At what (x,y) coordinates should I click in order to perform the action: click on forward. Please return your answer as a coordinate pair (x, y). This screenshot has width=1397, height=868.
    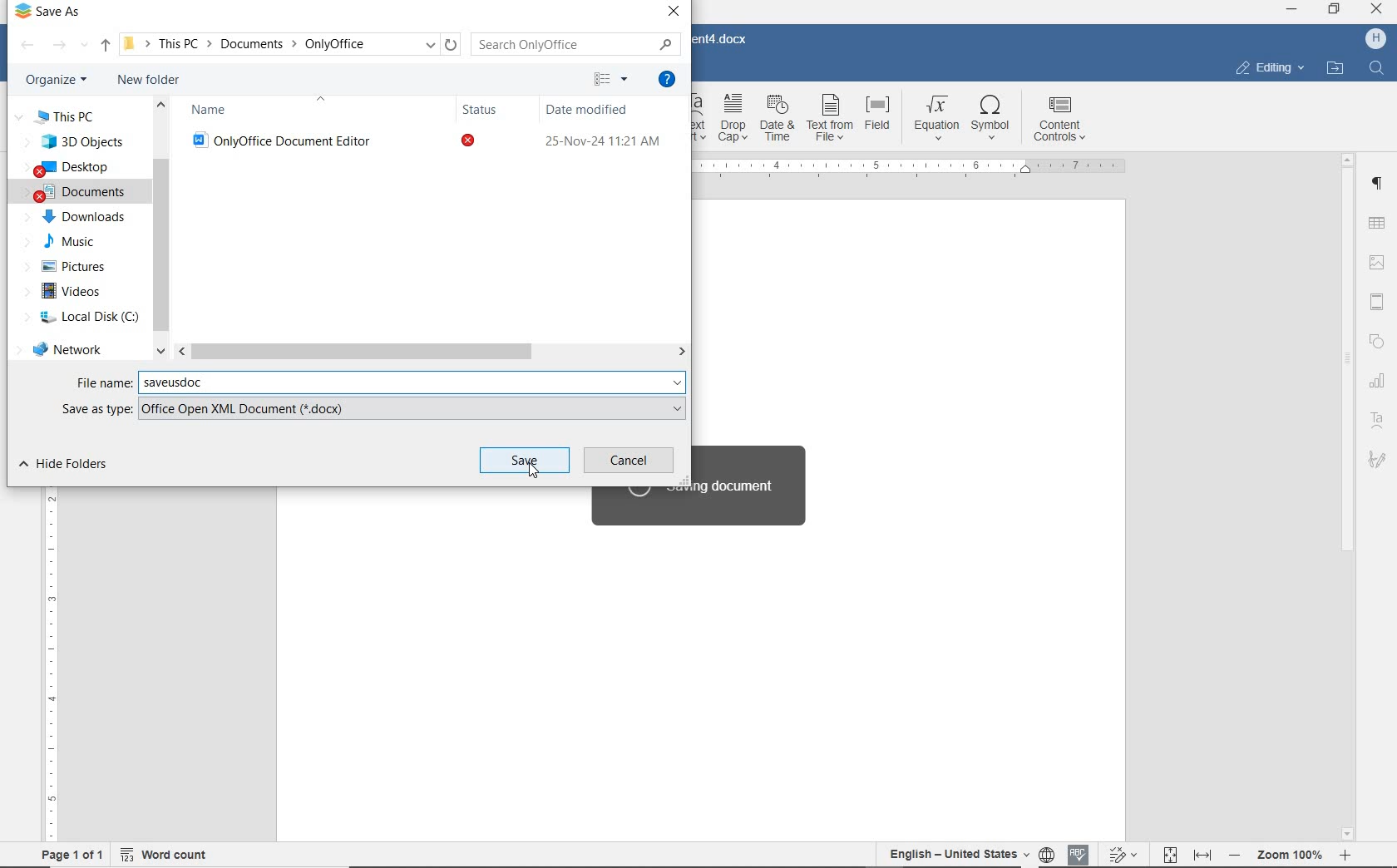
    Looking at the image, I should click on (59, 45).